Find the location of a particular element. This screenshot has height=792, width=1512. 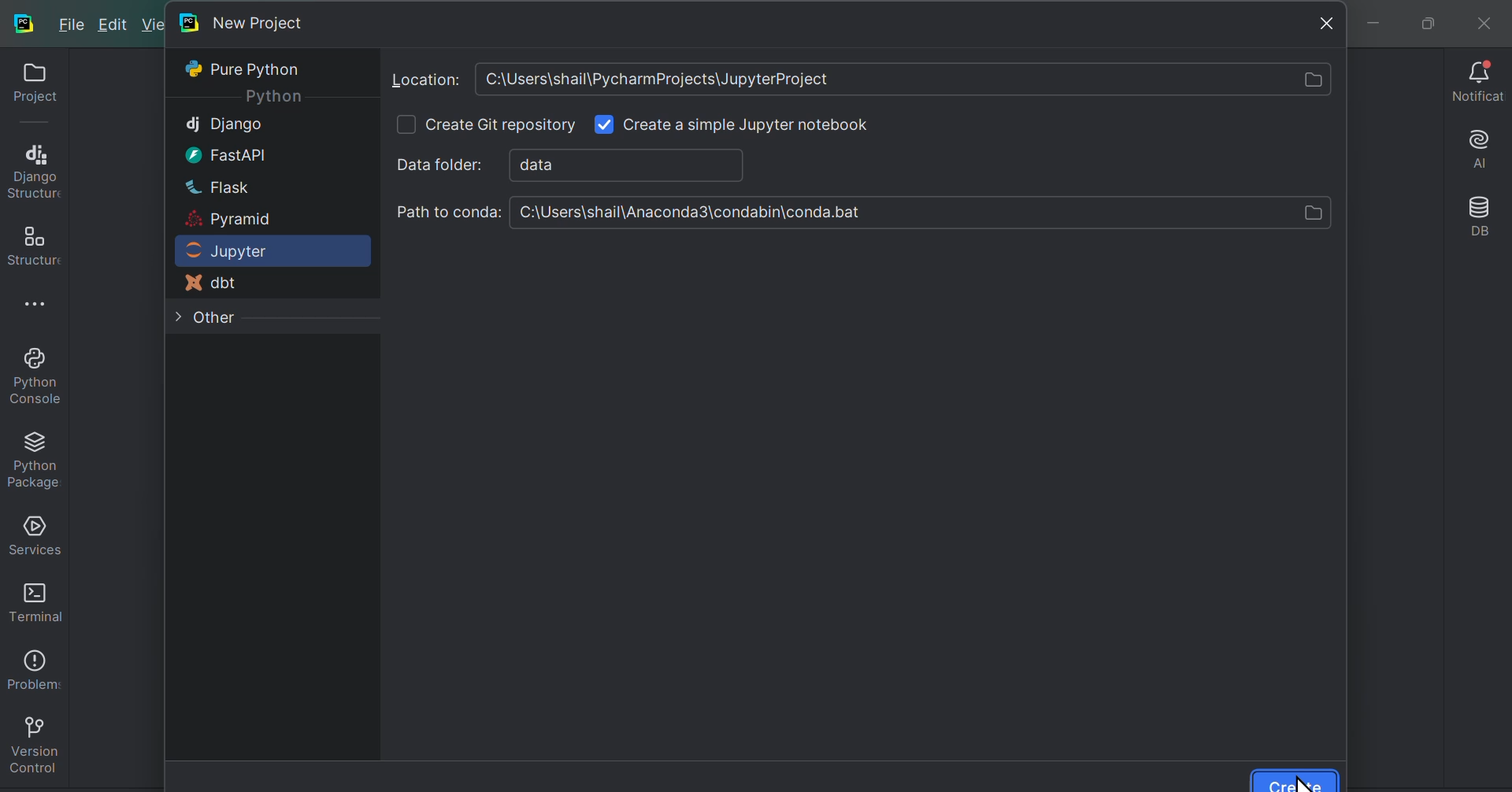

File is located at coordinates (76, 28).